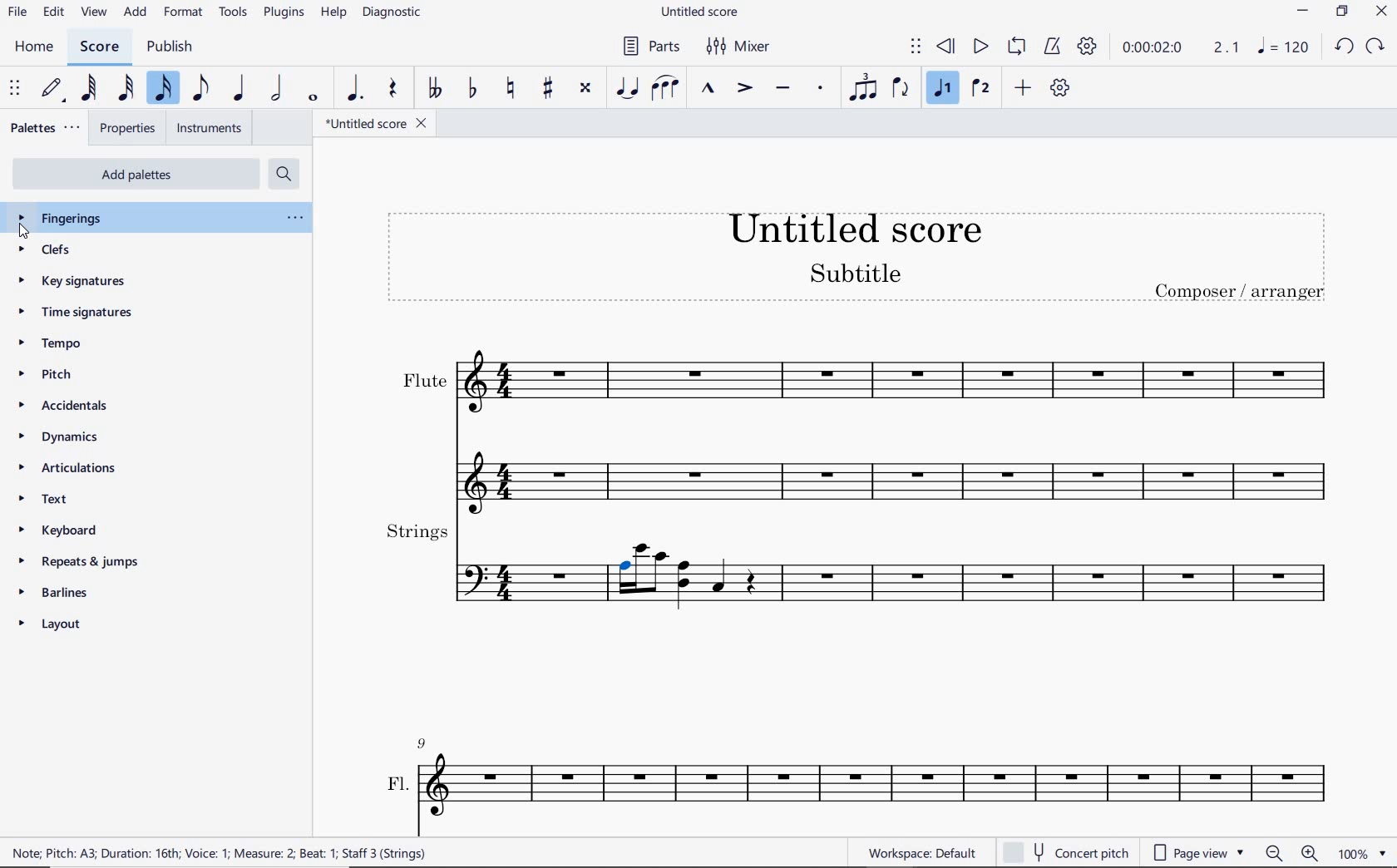 The image size is (1397, 868). What do you see at coordinates (223, 853) in the screenshot?
I see `score description` at bounding box center [223, 853].